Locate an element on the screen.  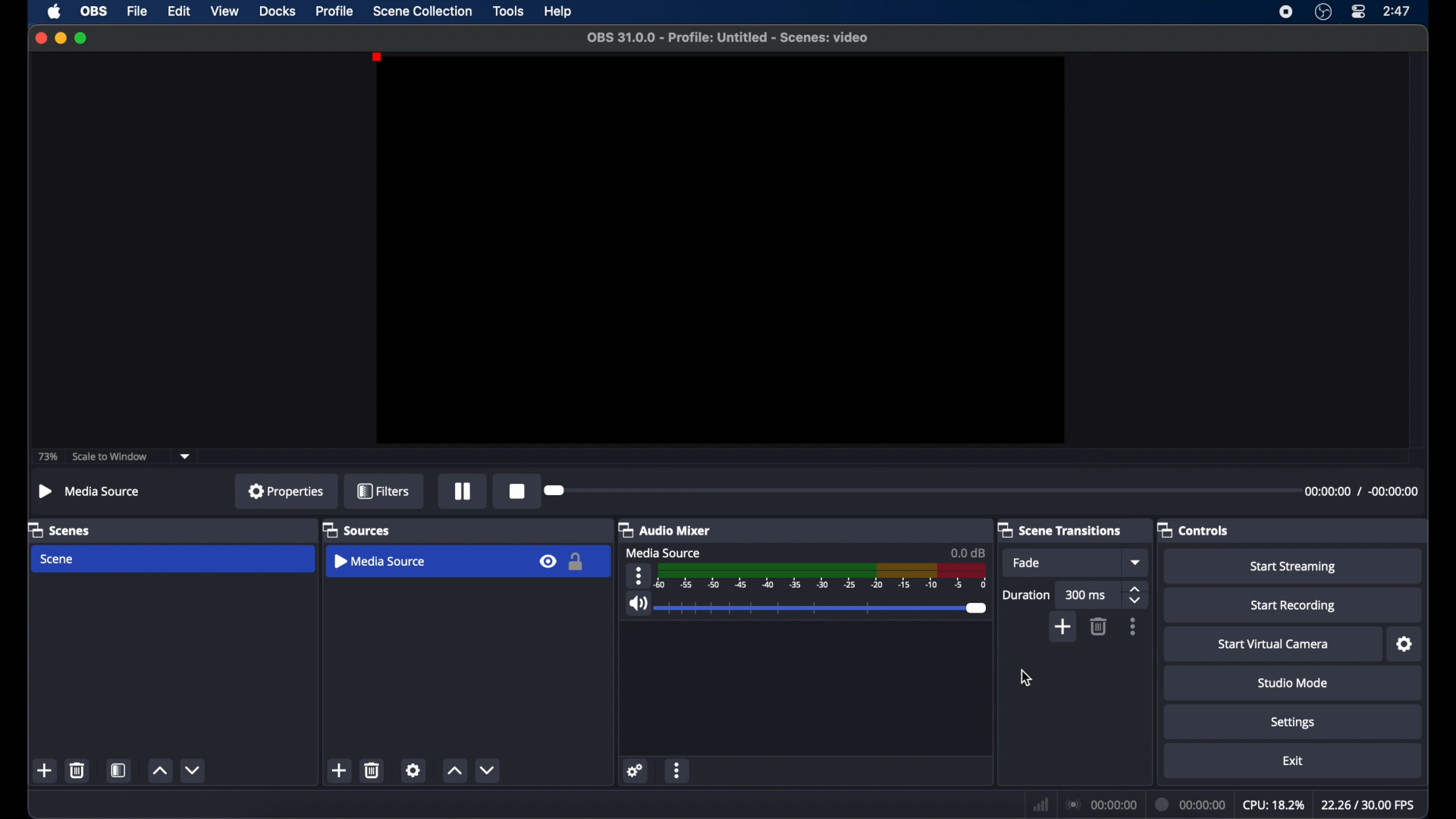
increment button is located at coordinates (454, 771).